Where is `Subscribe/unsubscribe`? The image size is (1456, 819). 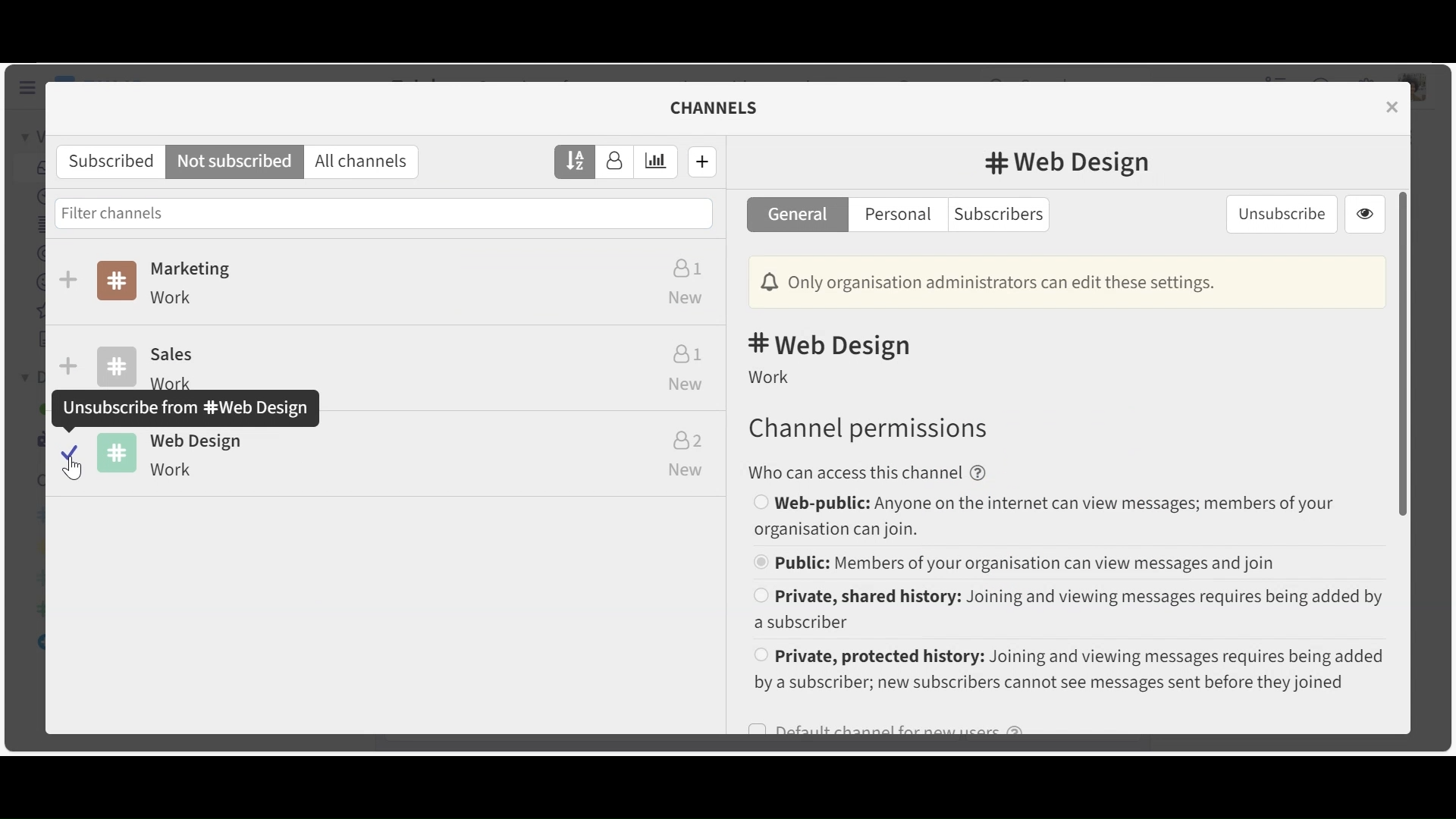 Subscribe/unsubscribe is located at coordinates (67, 453).